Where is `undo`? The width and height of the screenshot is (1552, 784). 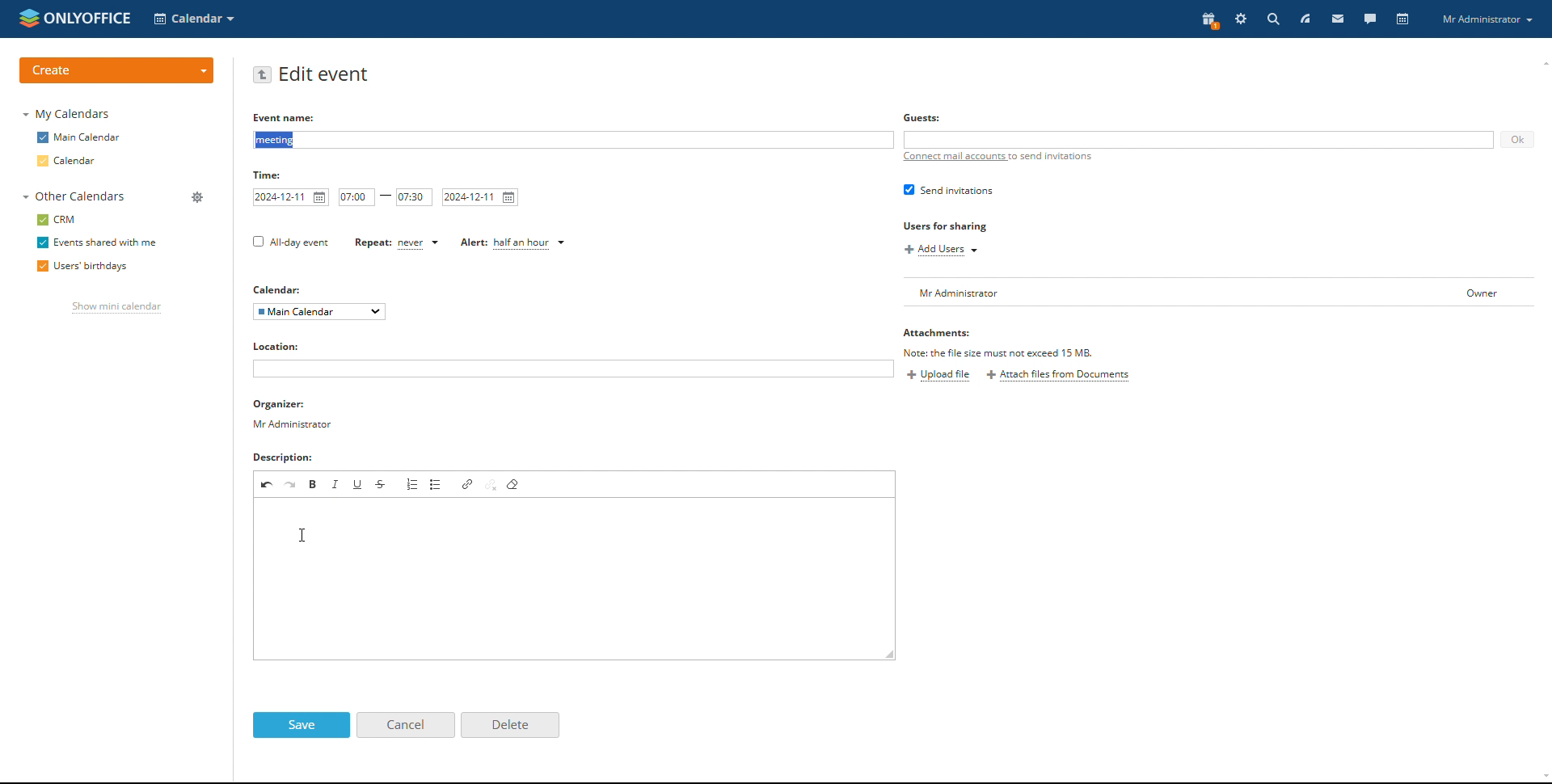 undo is located at coordinates (268, 483).